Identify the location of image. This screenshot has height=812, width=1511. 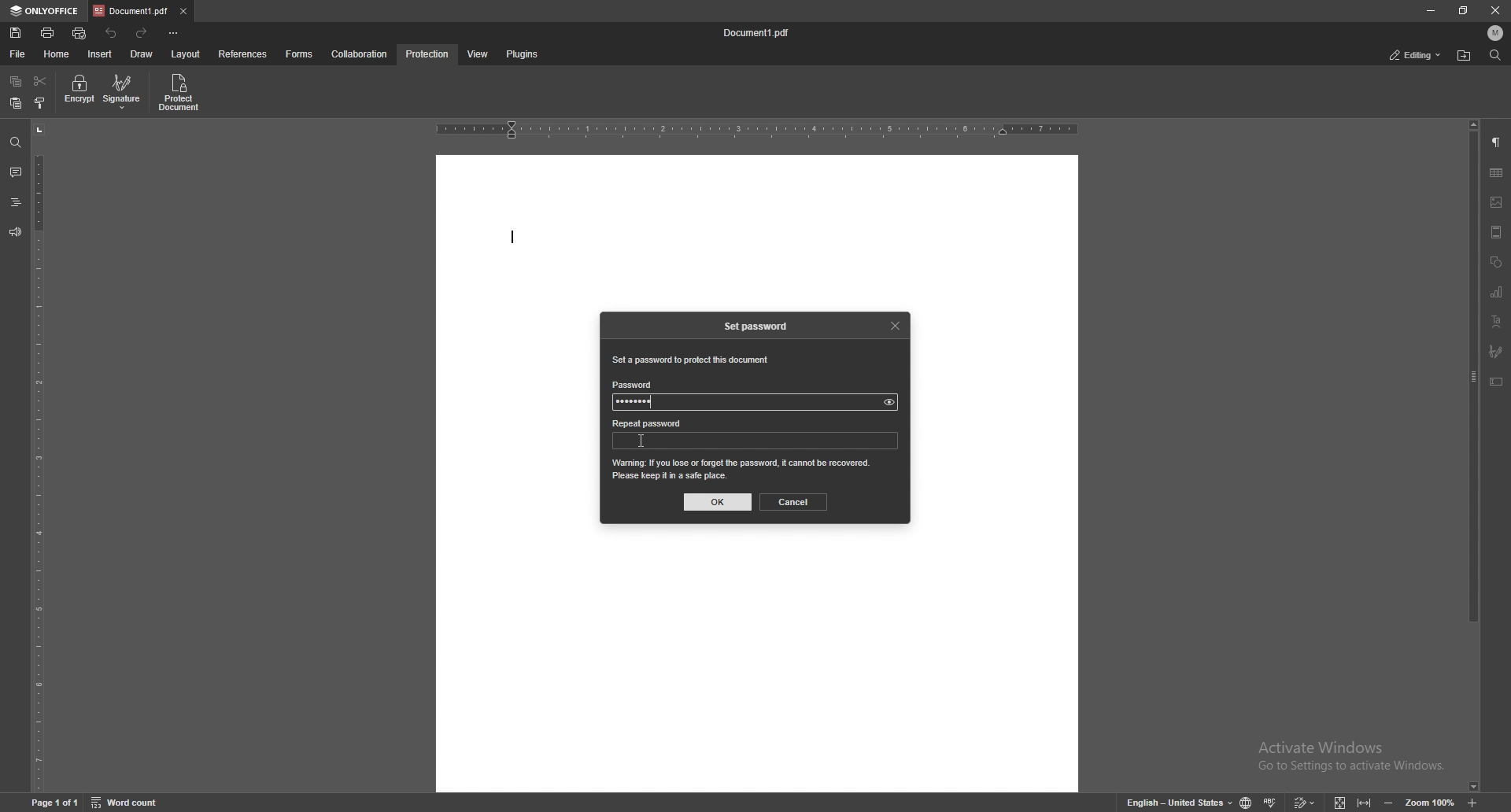
(1497, 202).